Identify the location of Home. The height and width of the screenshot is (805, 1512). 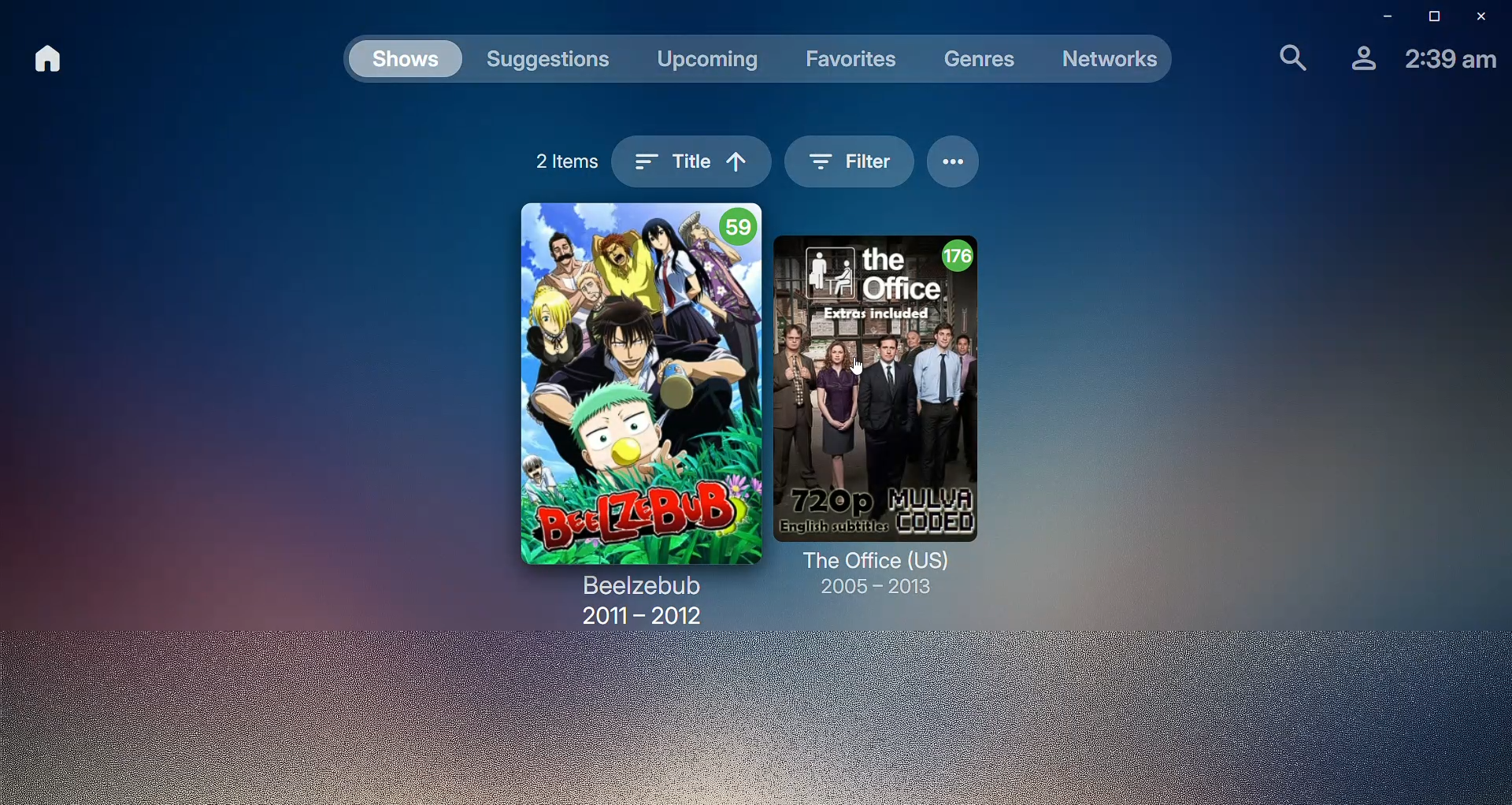
(52, 61).